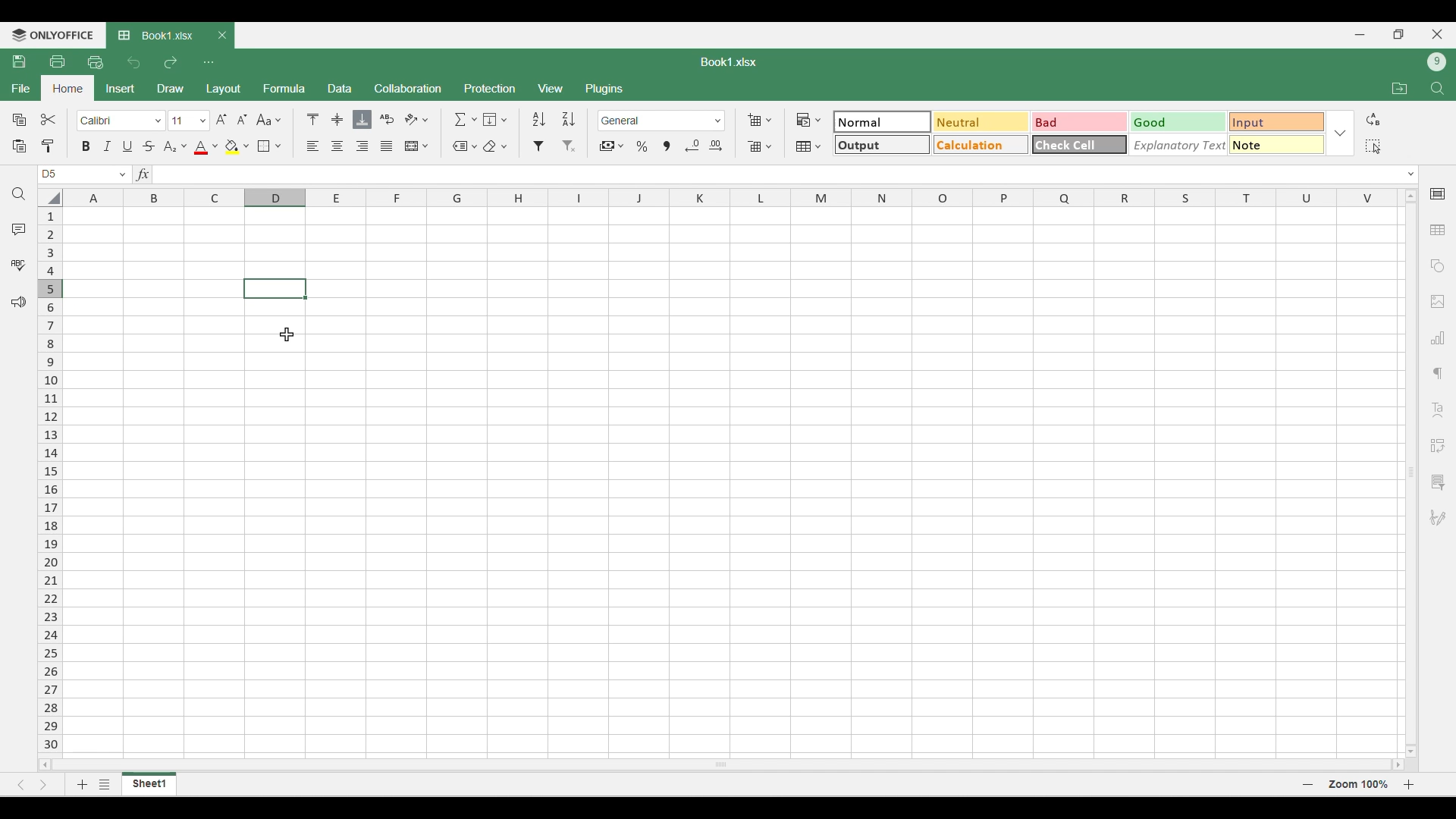 The height and width of the screenshot is (819, 1456). Describe the element at coordinates (123, 174) in the screenshot. I see `Change cell` at that location.